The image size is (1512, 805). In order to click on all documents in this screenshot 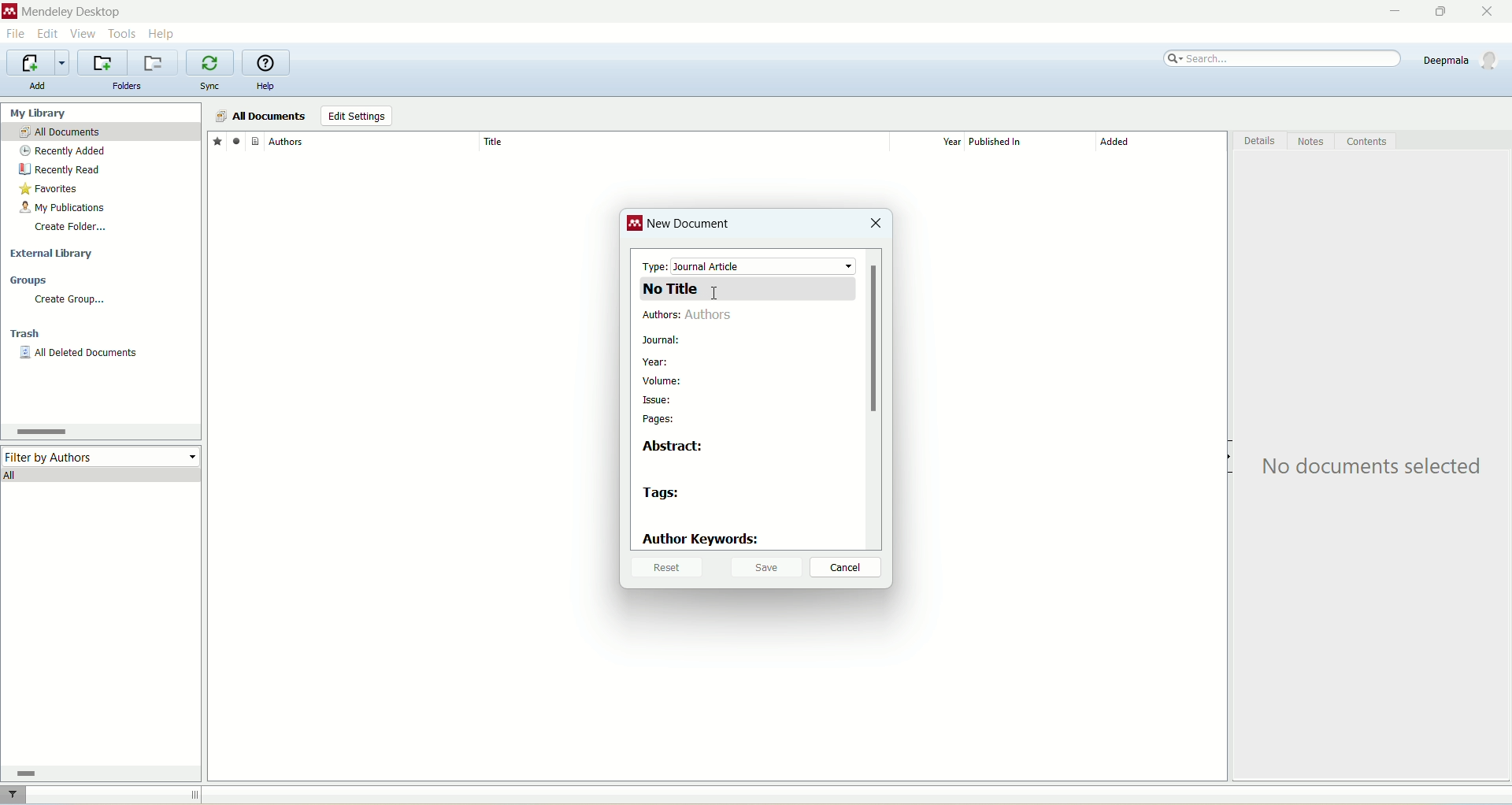, I will do `click(101, 132)`.